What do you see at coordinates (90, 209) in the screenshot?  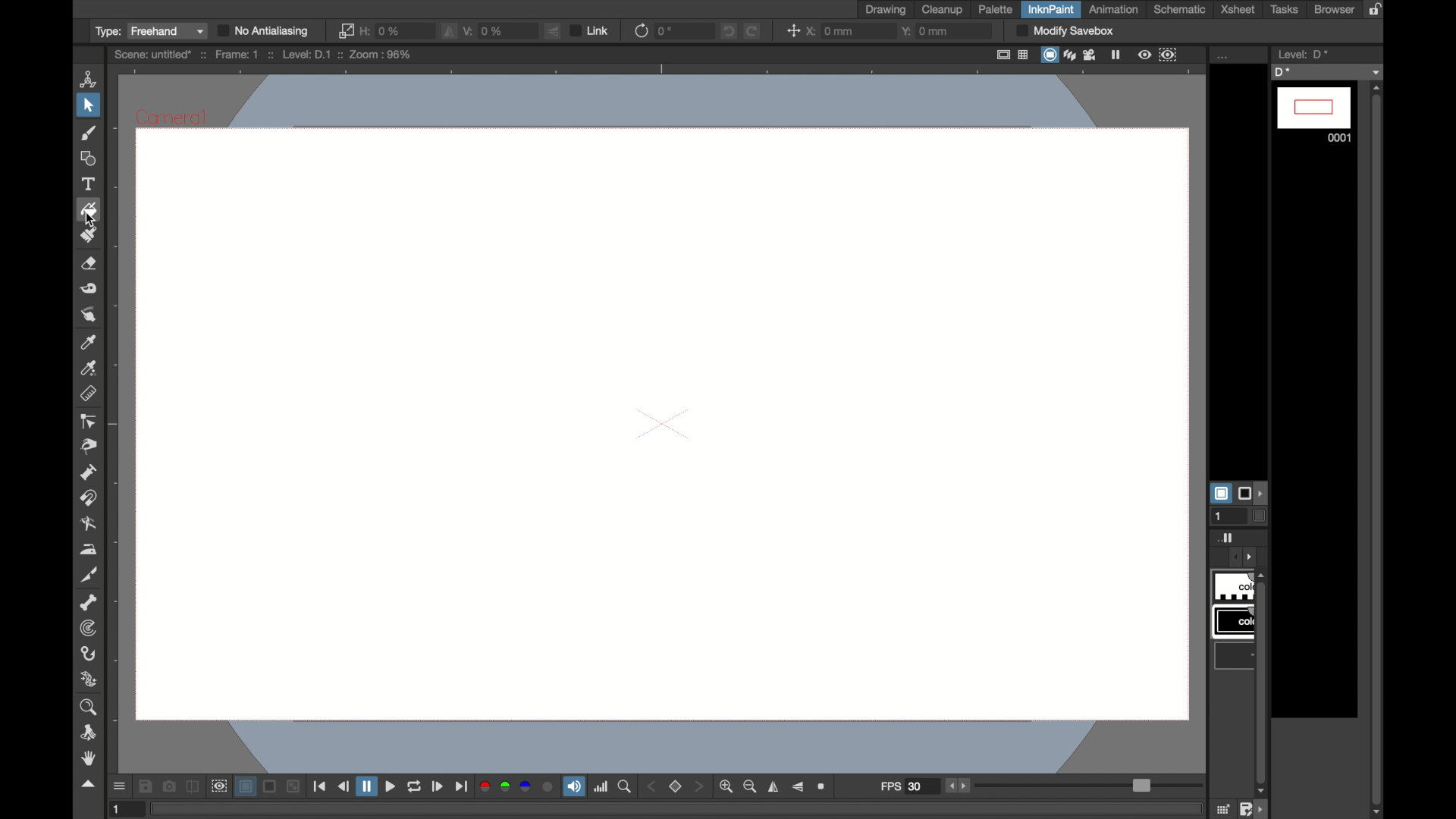 I see `fill tool` at bounding box center [90, 209].